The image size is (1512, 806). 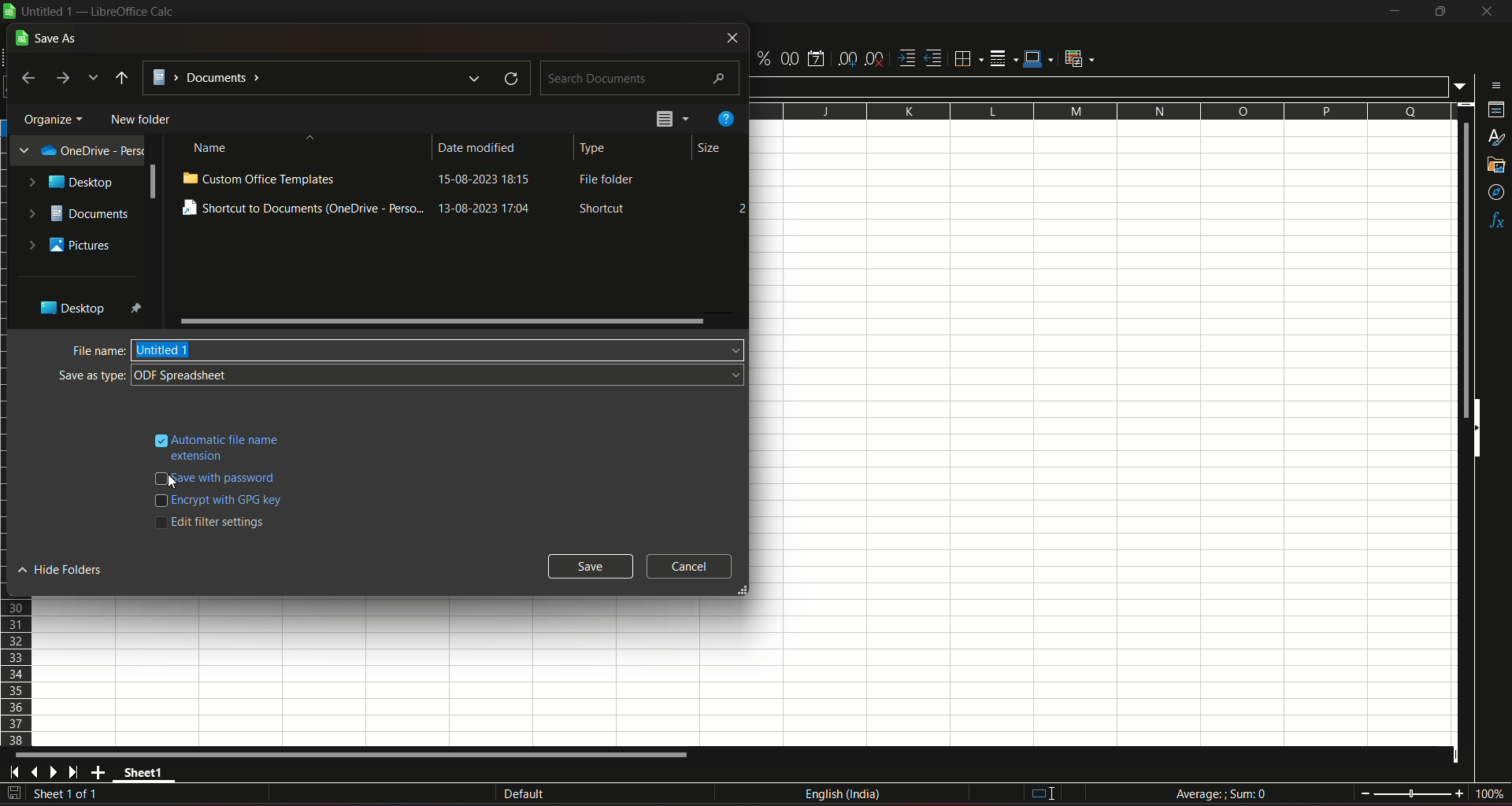 What do you see at coordinates (672, 120) in the screenshot?
I see `files` at bounding box center [672, 120].